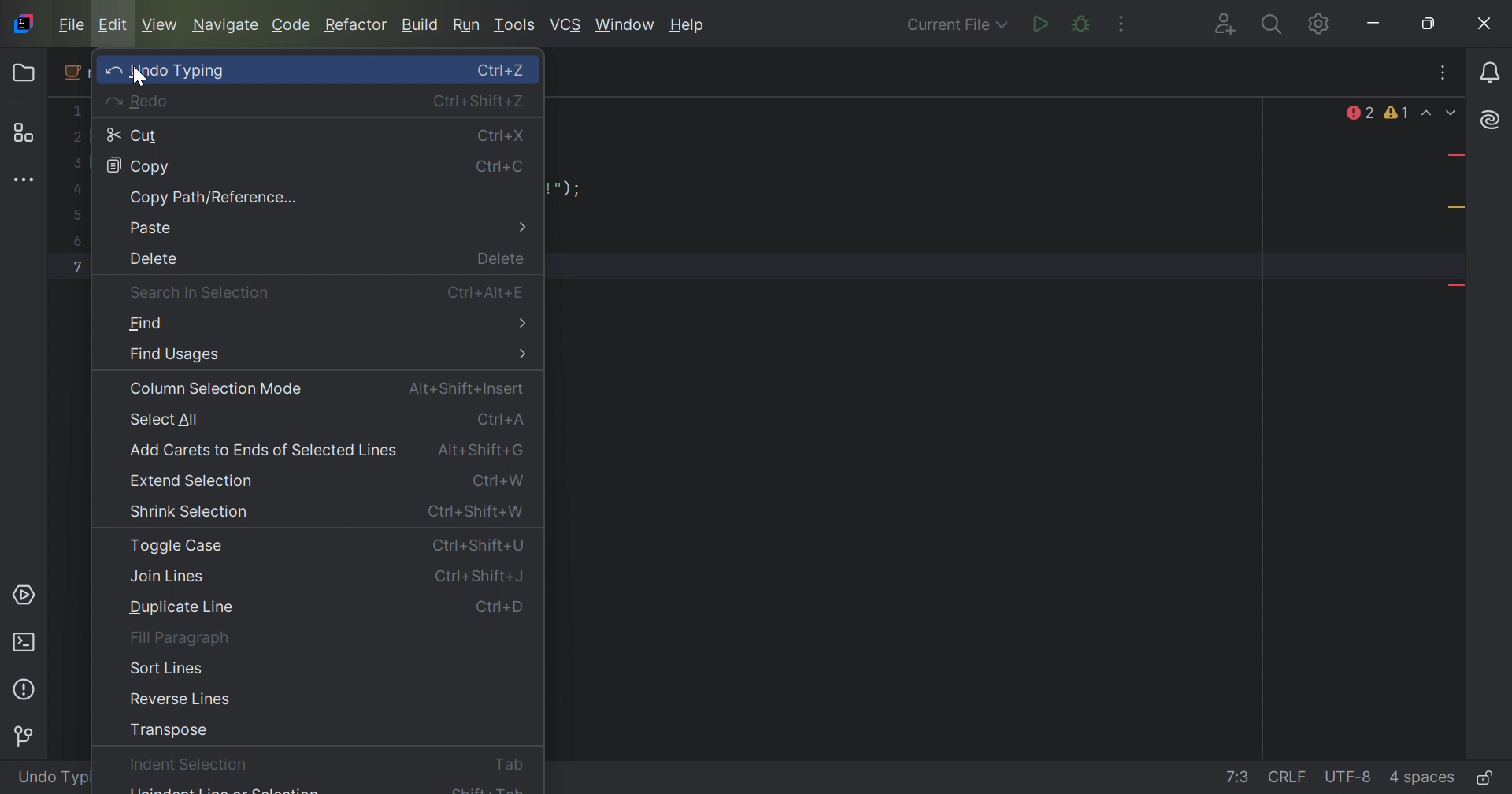 Image resolution: width=1512 pixels, height=794 pixels. Describe the element at coordinates (73, 25) in the screenshot. I see `File` at that location.